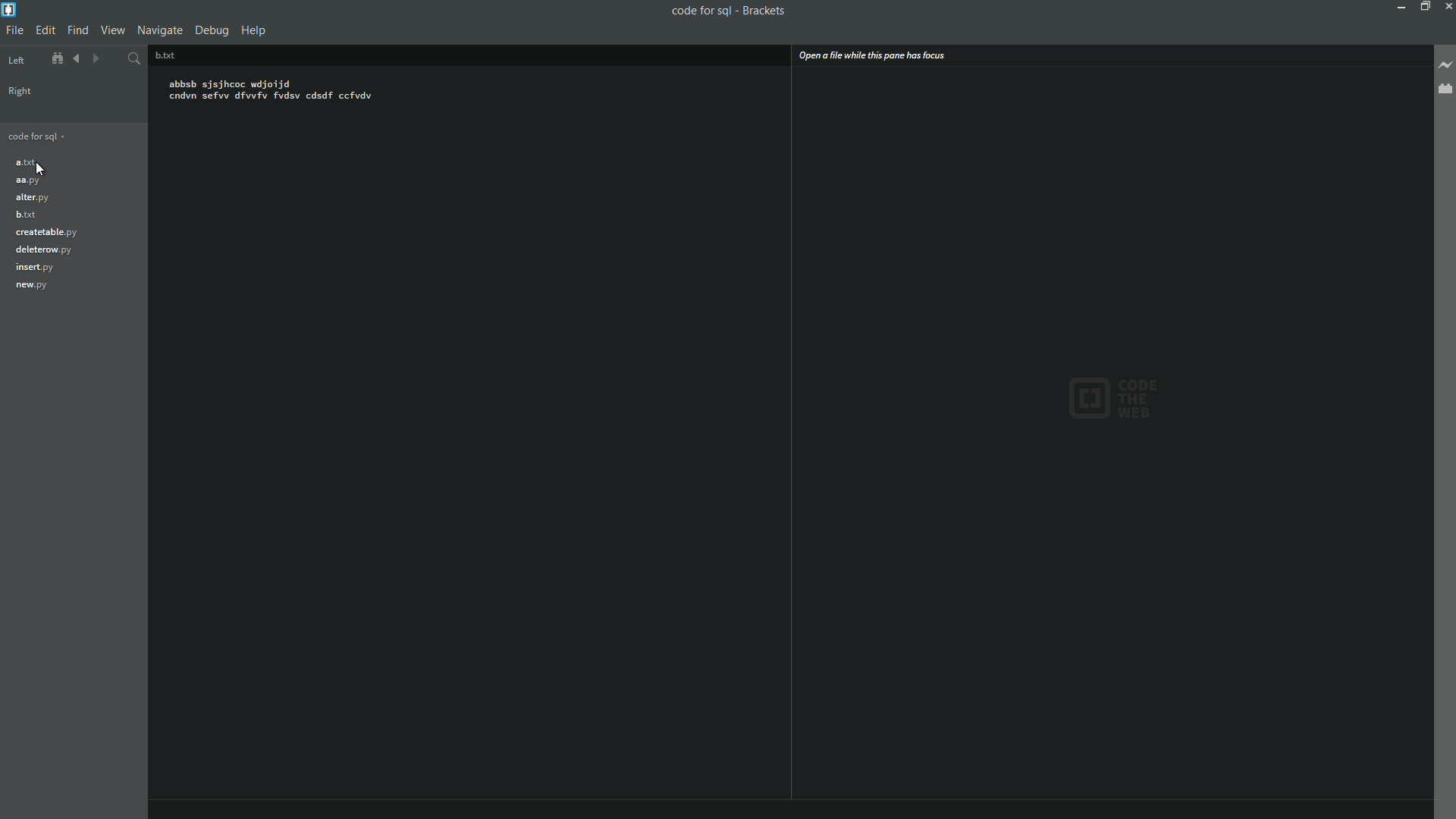 This screenshot has width=1456, height=819. Describe the element at coordinates (44, 250) in the screenshot. I see `deleterow.py` at that location.